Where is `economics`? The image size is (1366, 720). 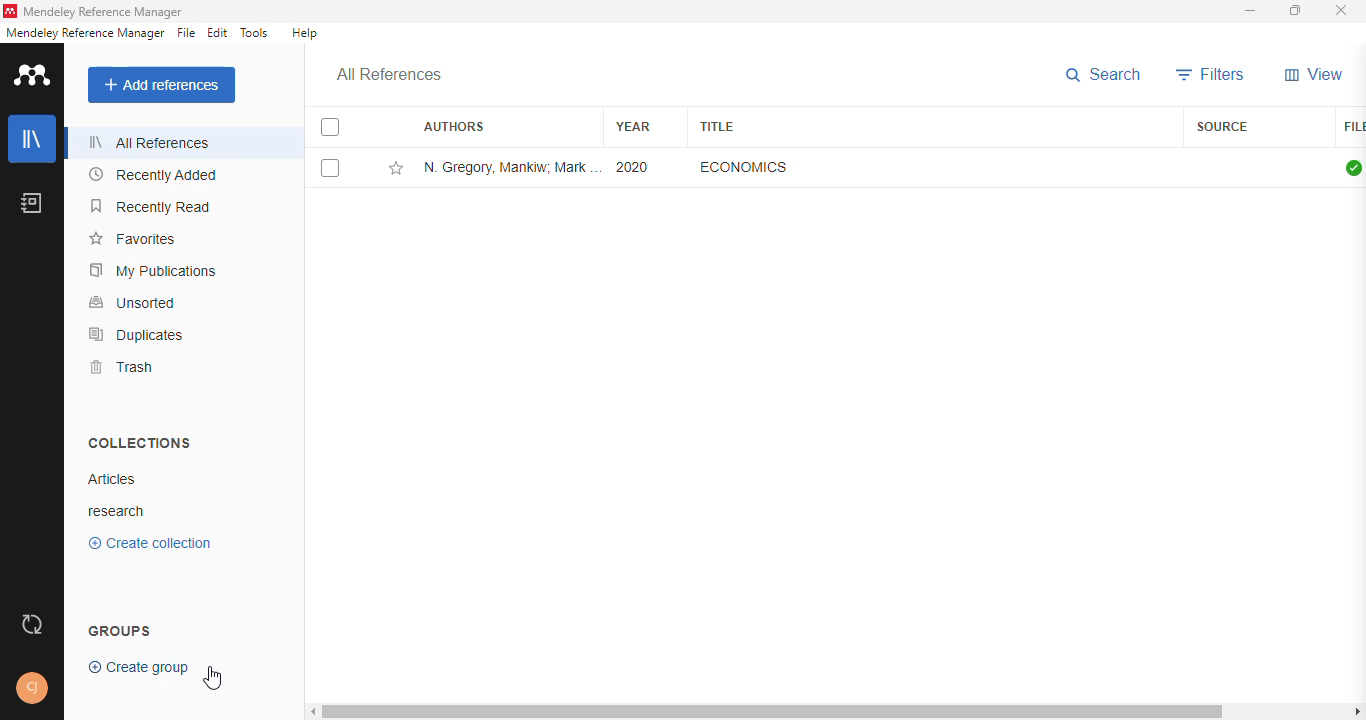 economics is located at coordinates (744, 166).